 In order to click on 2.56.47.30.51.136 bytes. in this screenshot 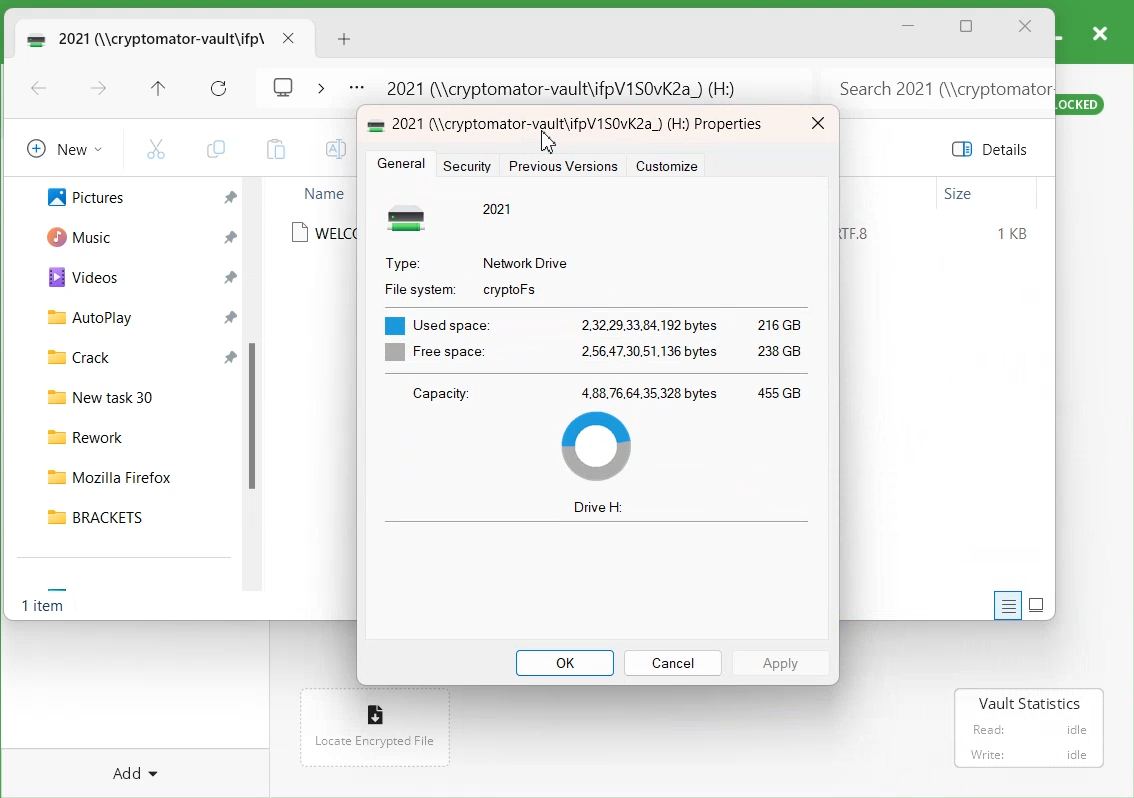, I will do `click(650, 352)`.